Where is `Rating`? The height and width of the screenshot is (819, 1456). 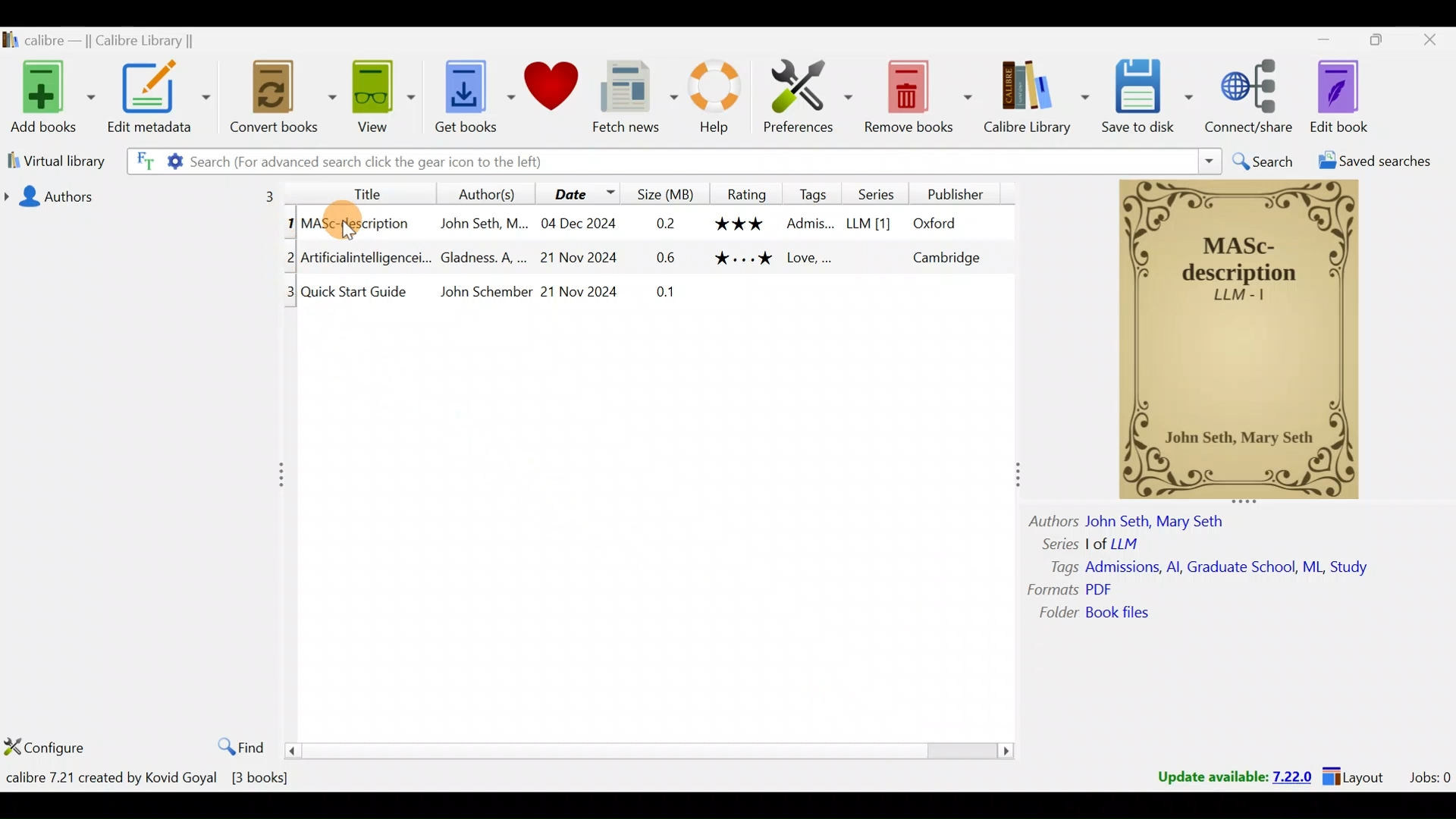 Rating is located at coordinates (748, 192).